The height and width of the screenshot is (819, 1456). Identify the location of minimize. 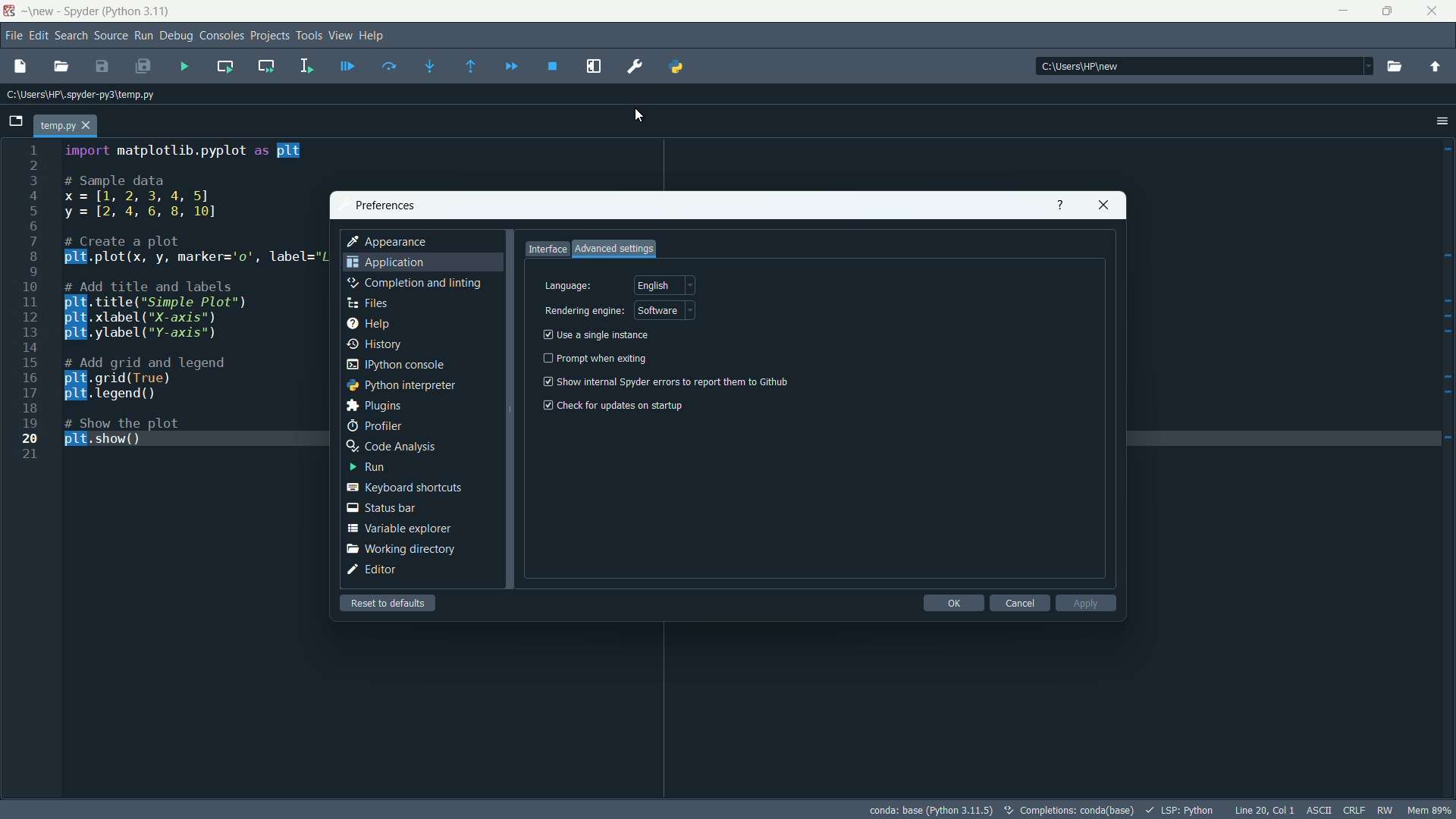
(1344, 11).